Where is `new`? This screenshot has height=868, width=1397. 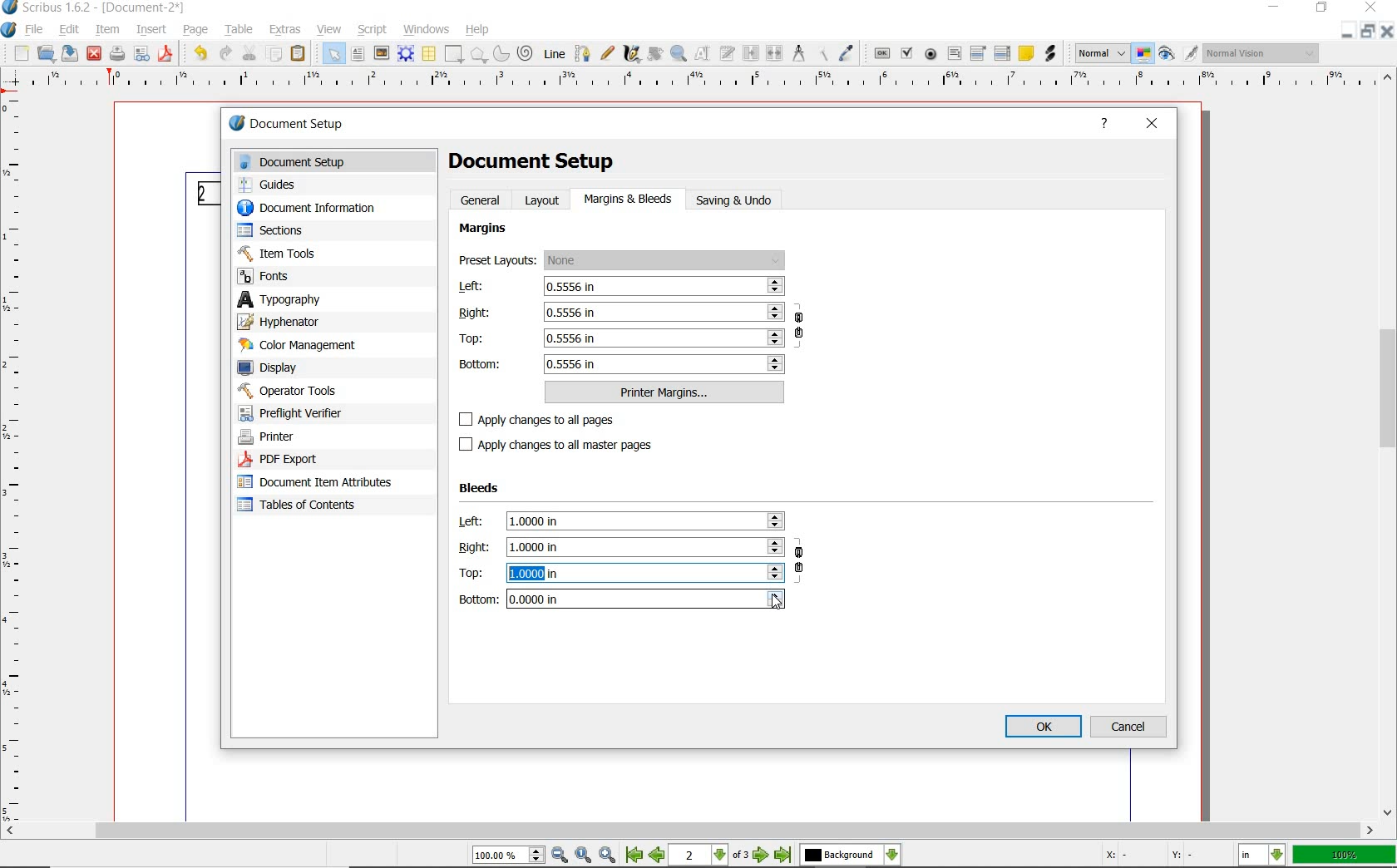 new is located at coordinates (22, 54).